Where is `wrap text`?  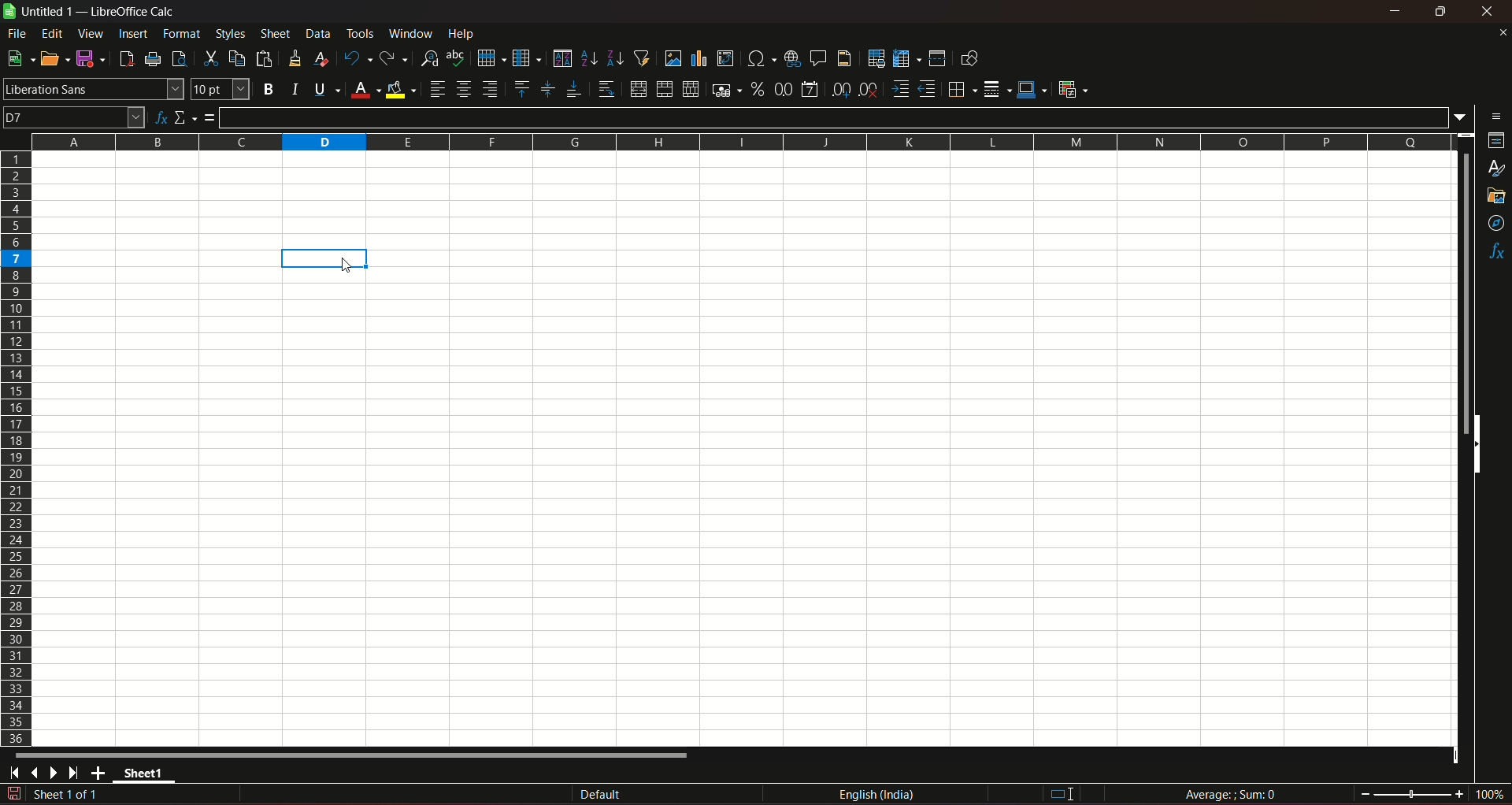
wrap text is located at coordinates (606, 90).